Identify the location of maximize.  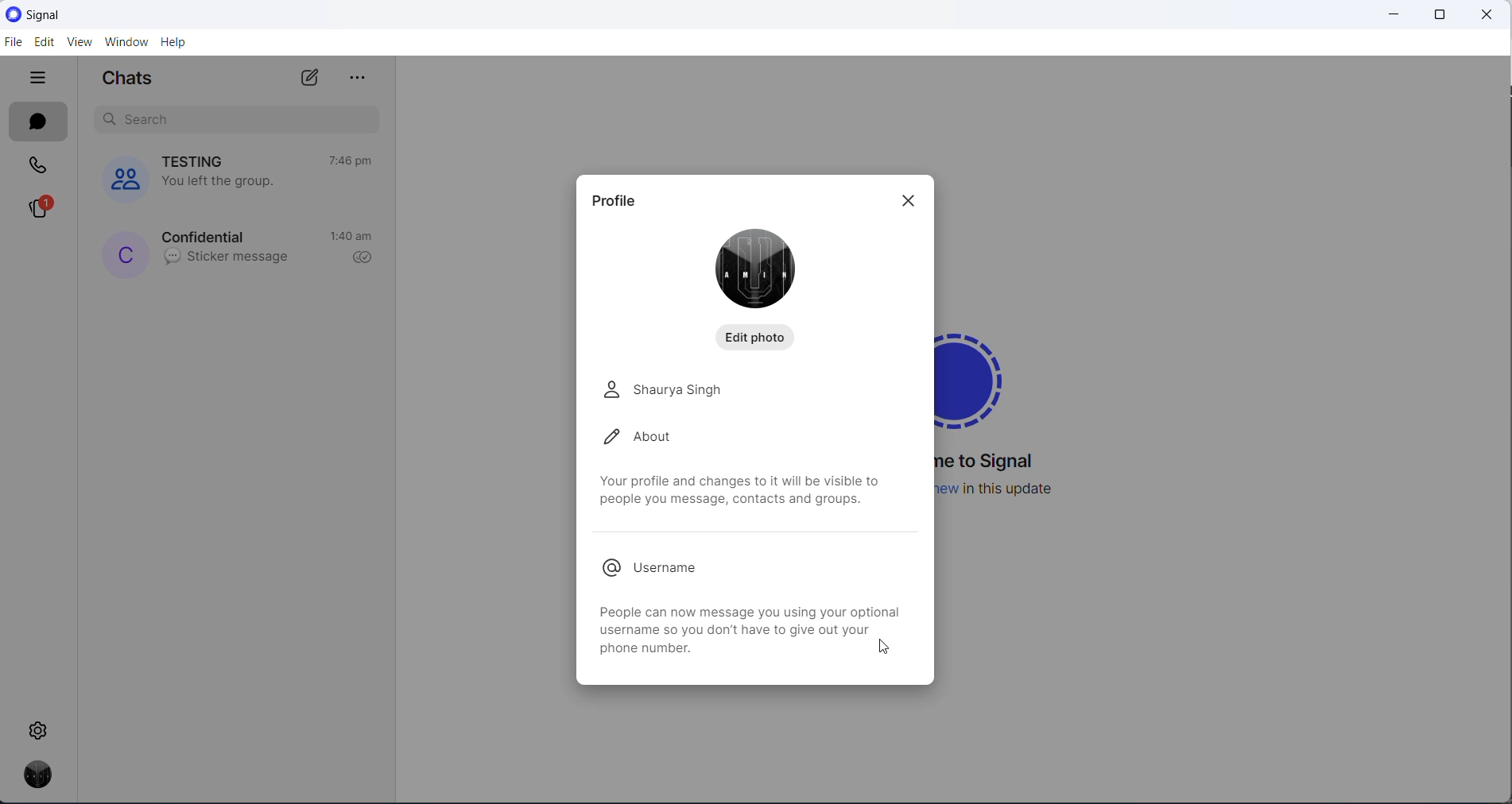
(1436, 15).